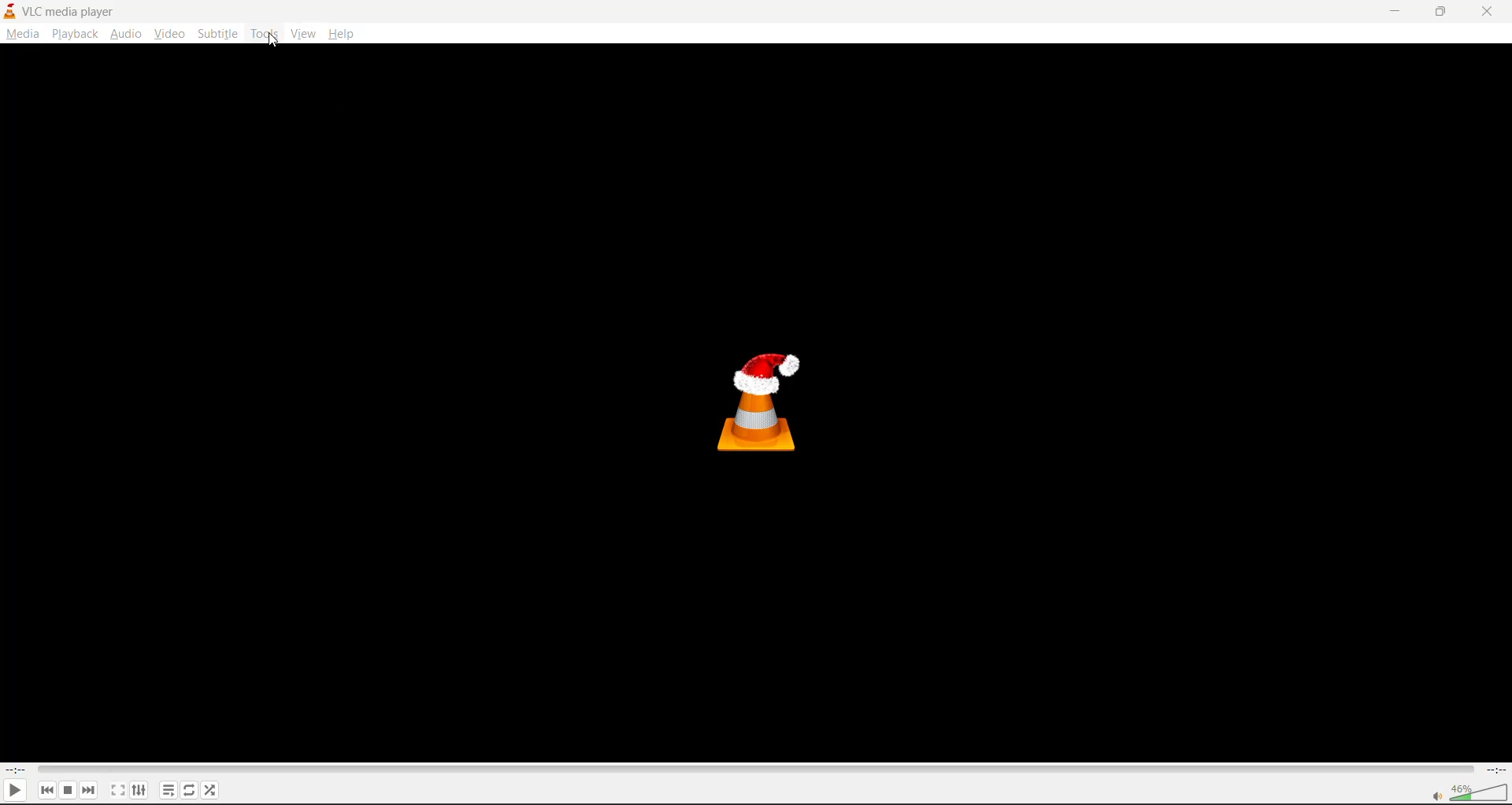 The height and width of the screenshot is (805, 1512). Describe the element at coordinates (1492, 11) in the screenshot. I see `close` at that location.